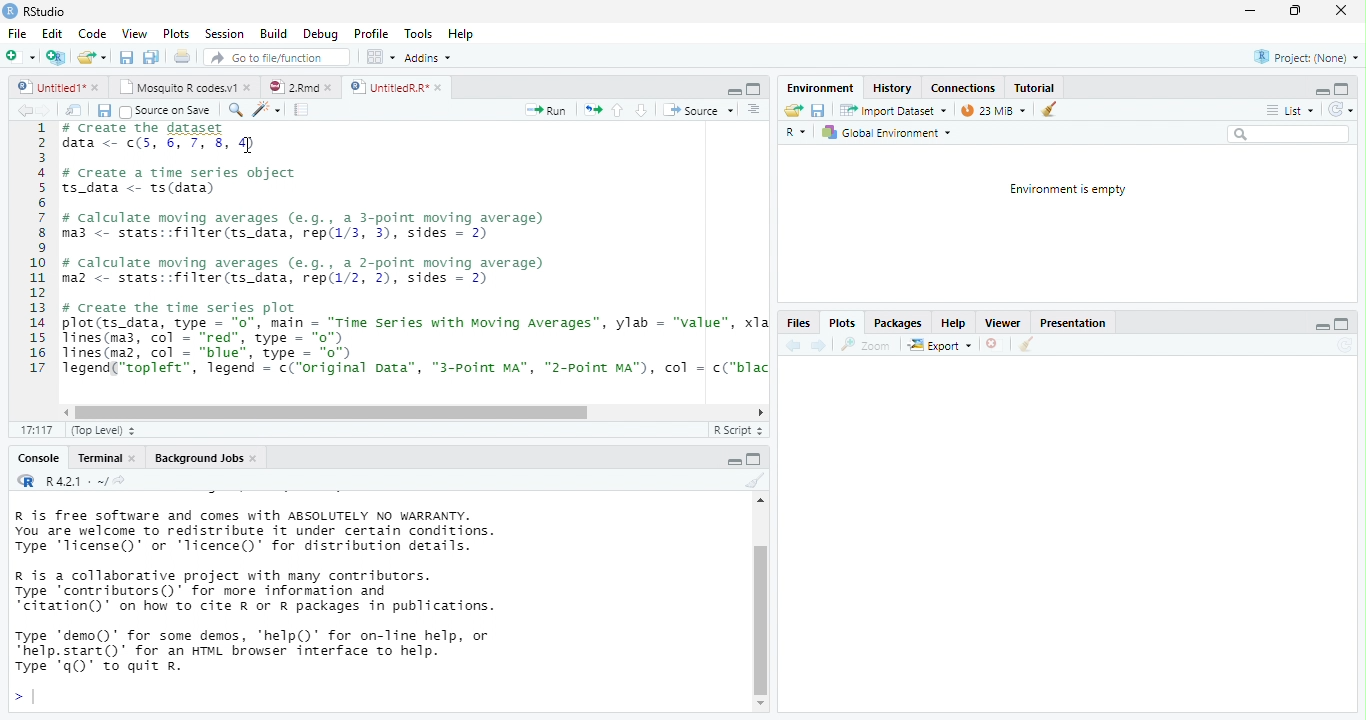 The height and width of the screenshot is (720, 1366). What do you see at coordinates (250, 86) in the screenshot?
I see `close` at bounding box center [250, 86].